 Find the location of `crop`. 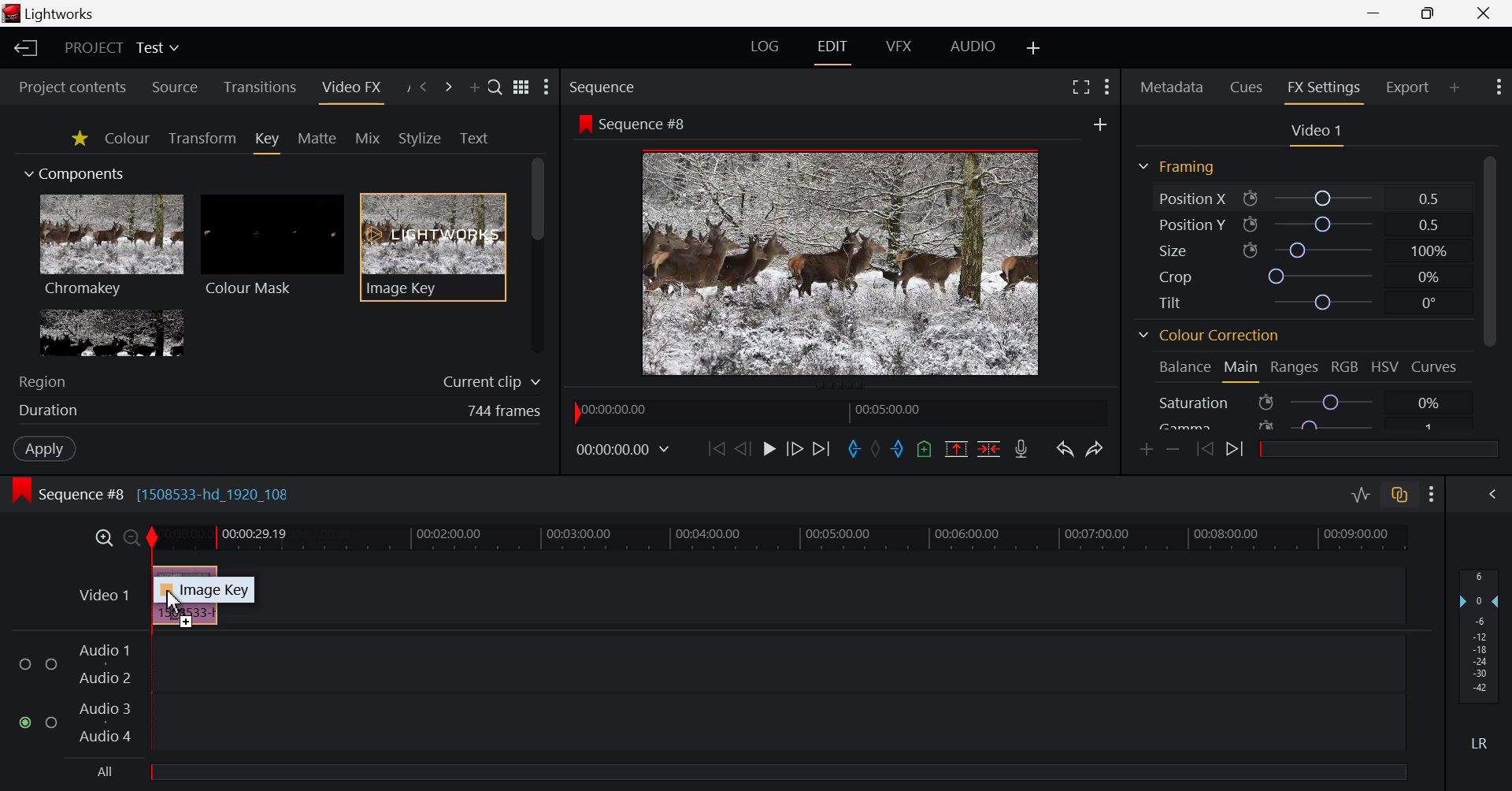

crop is located at coordinates (1321, 277).